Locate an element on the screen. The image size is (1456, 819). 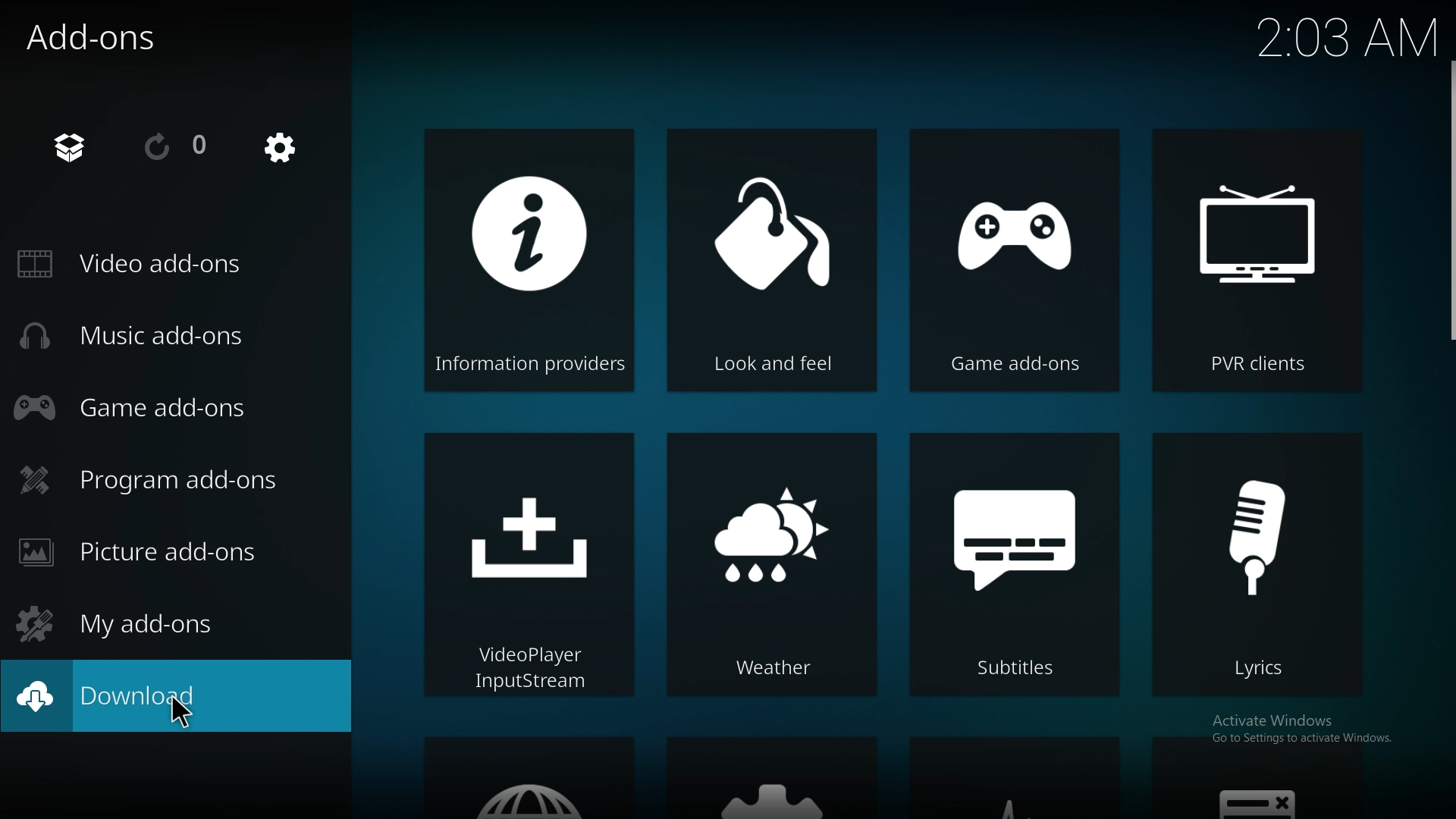
add ons is located at coordinates (112, 39).